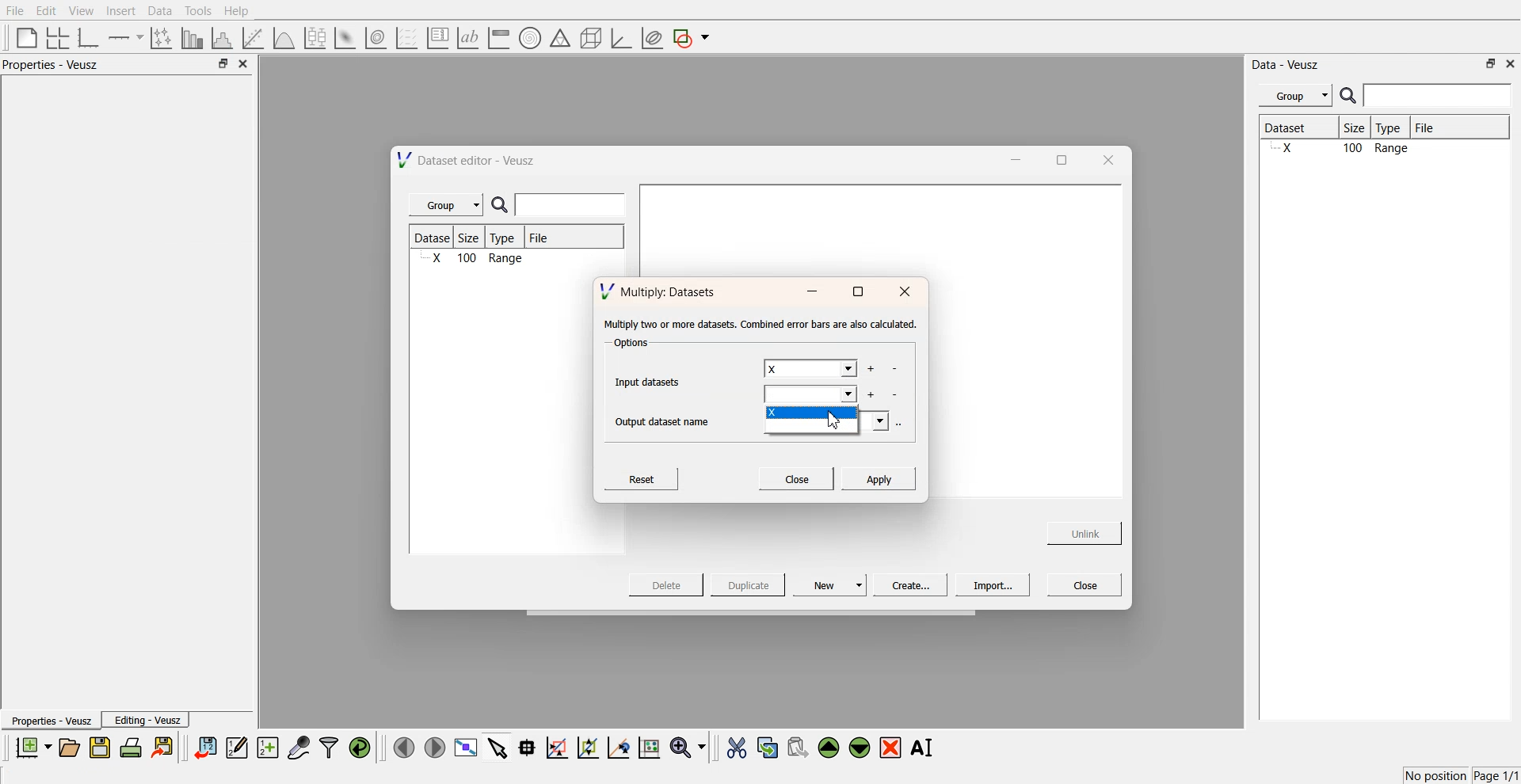  What do you see at coordinates (692, 39) in the screenshot?
I see `add a shape` at bounding box center [692, 39].